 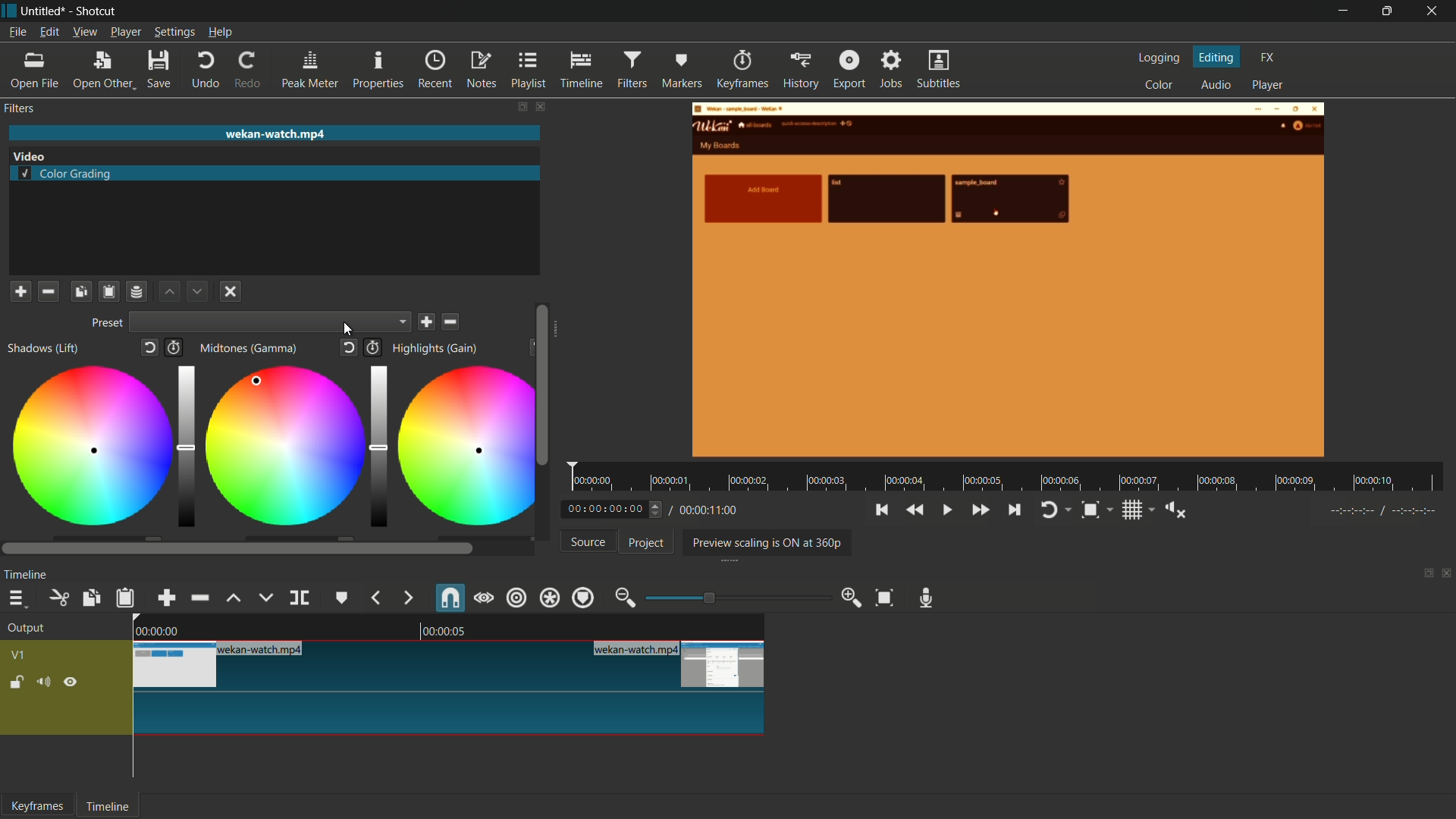 I want to click on overwrite, so click(x=265, y=597).